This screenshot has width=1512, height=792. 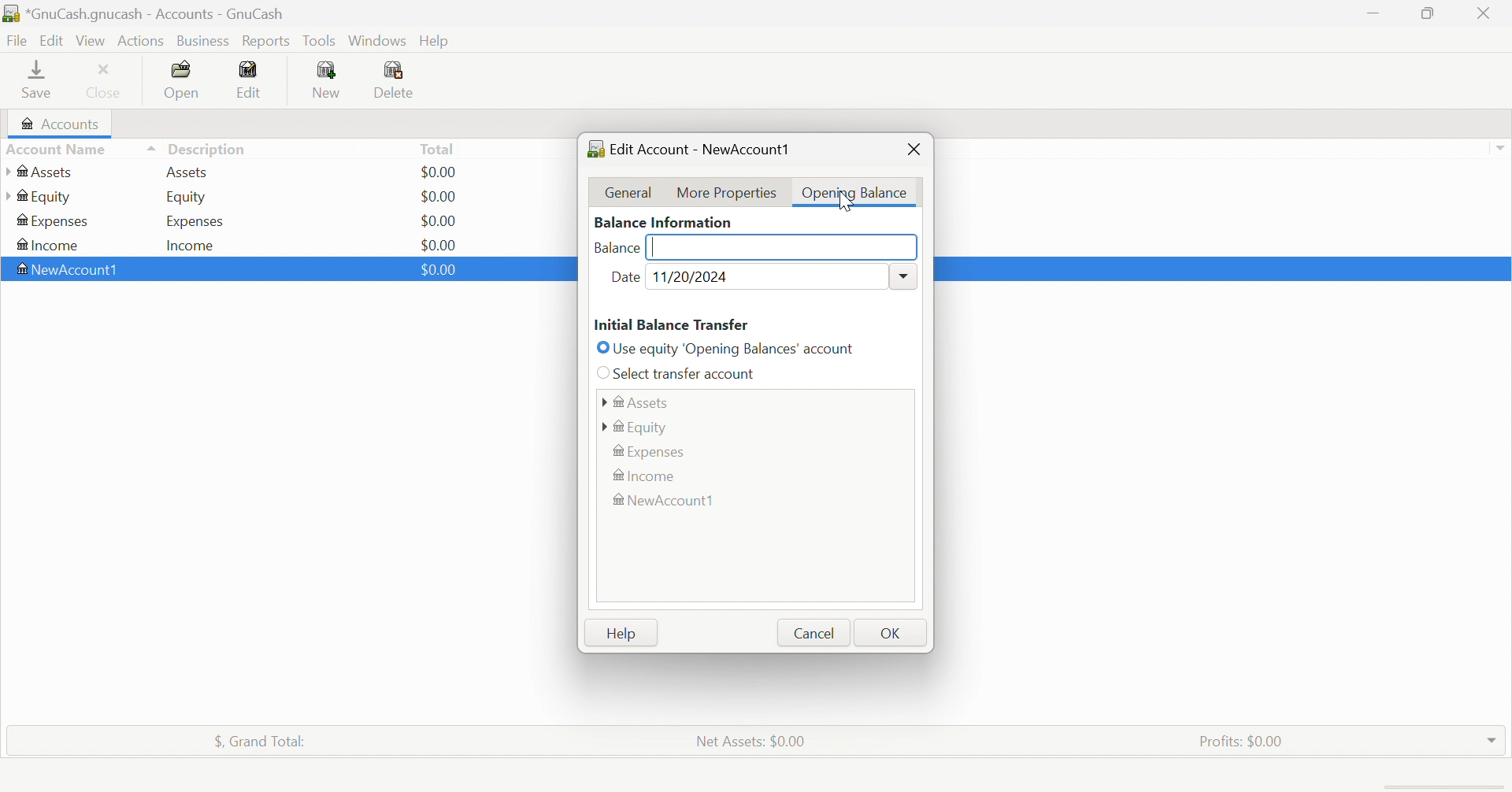 I want to click on Edit, so click(x=51, y=39).